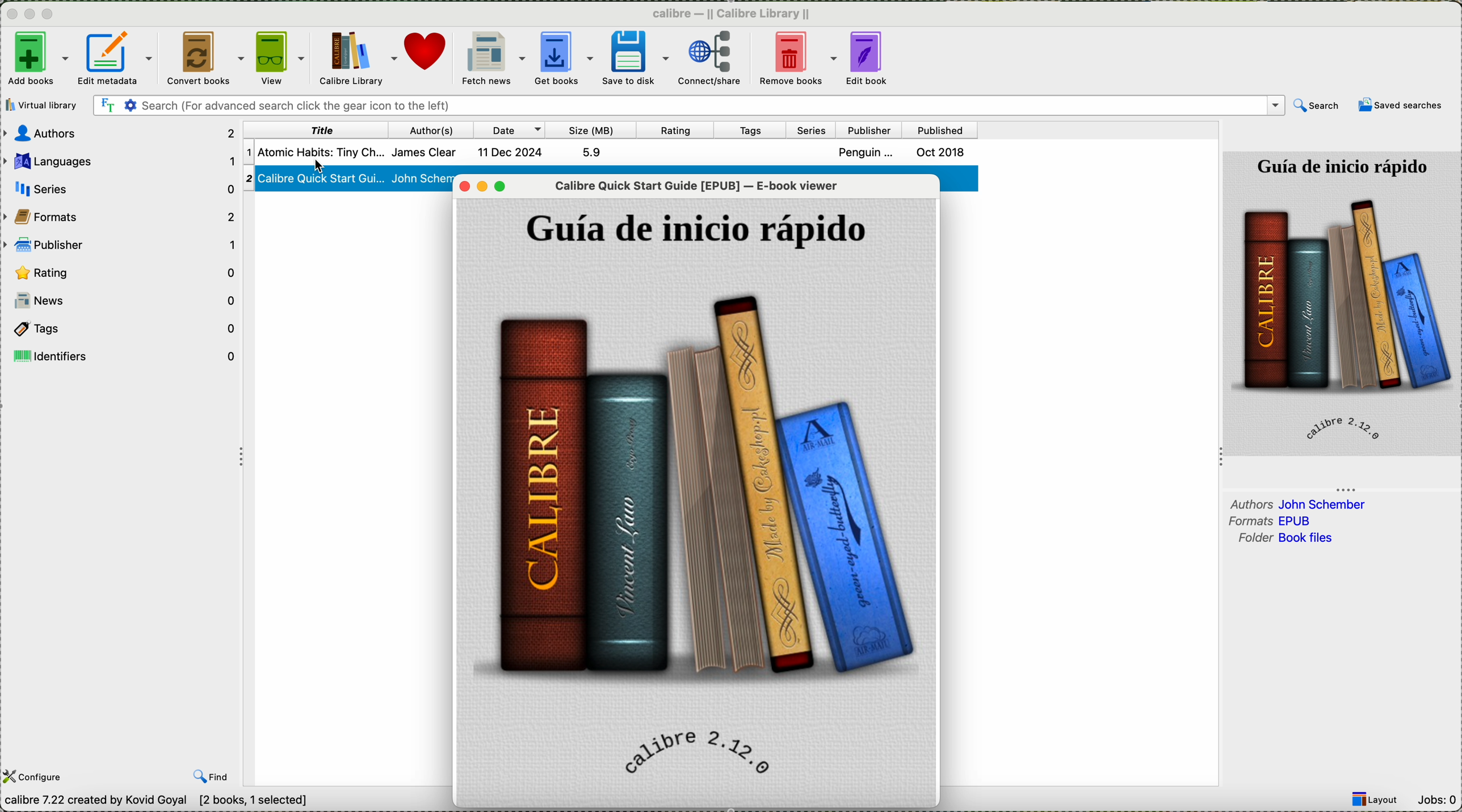 This screenshot has height=812, width=1462. What do you see at coordinates (282, 59) in the screenshot?
I see `click on view` at bounding box center [282, 59].